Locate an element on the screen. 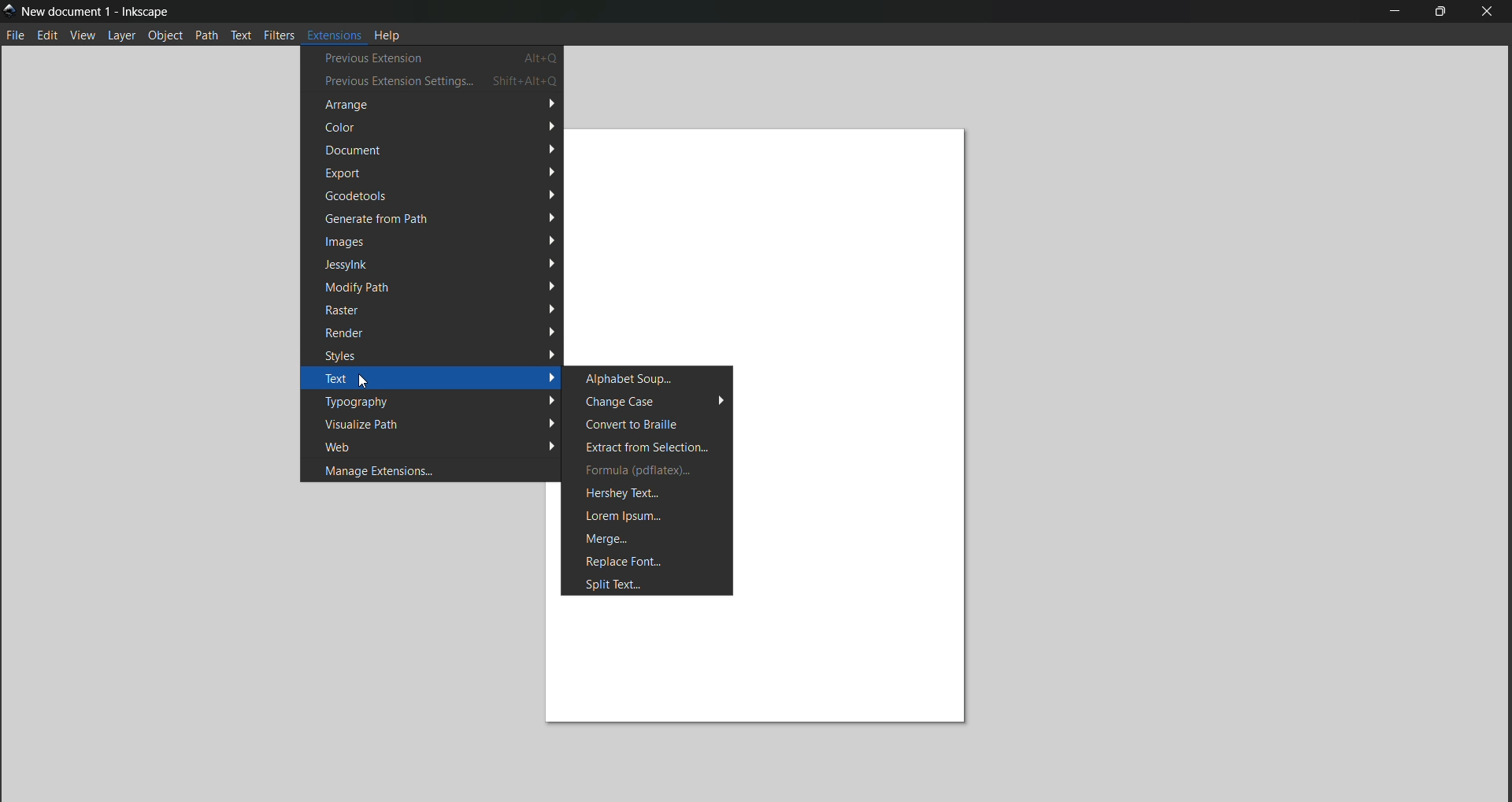 This screenshot has height=802, width=1512. styles is located at coordinates (436, 354).